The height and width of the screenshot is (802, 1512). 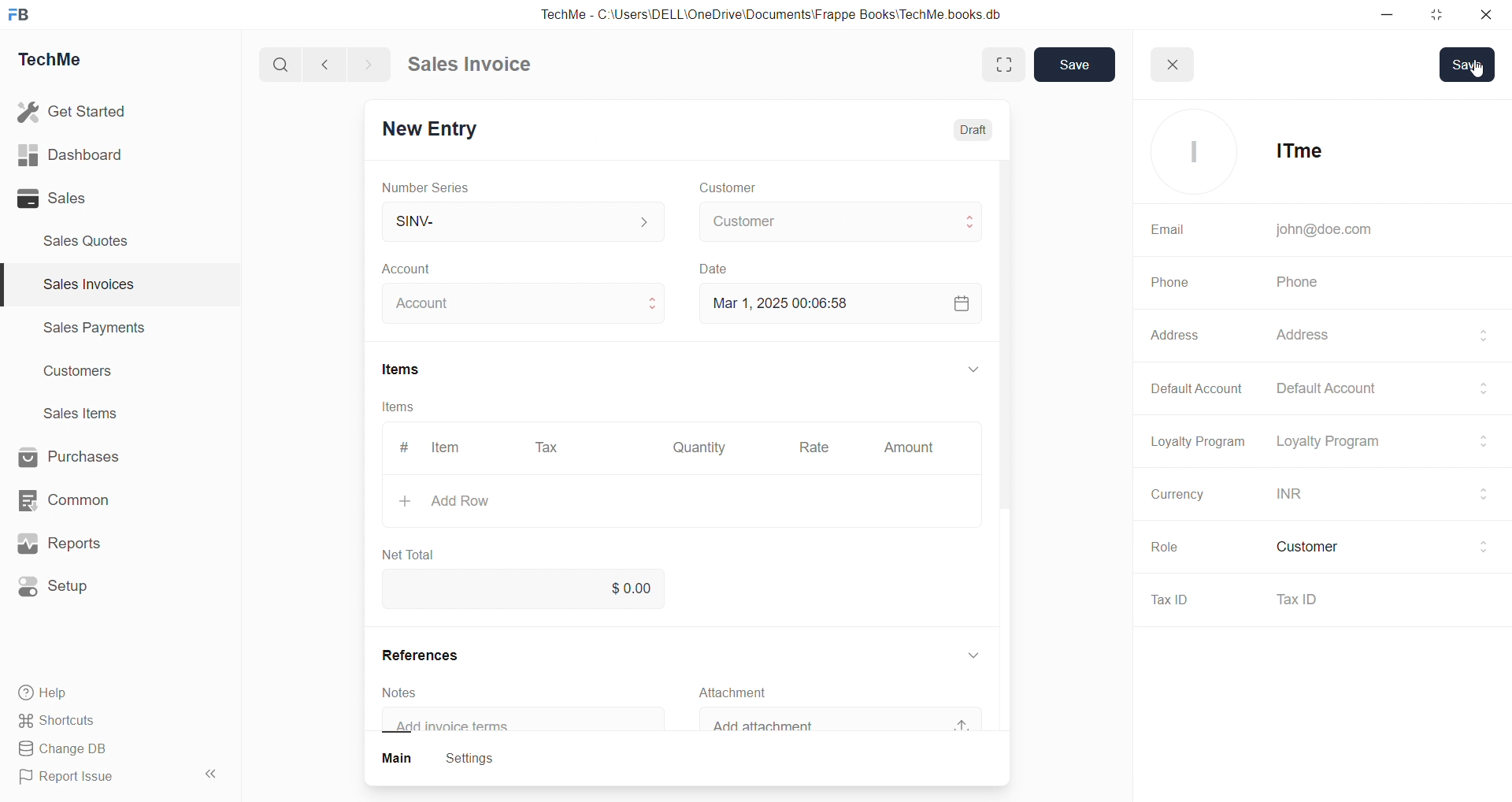 I want to click on Save, so click(x=1075, y=65).